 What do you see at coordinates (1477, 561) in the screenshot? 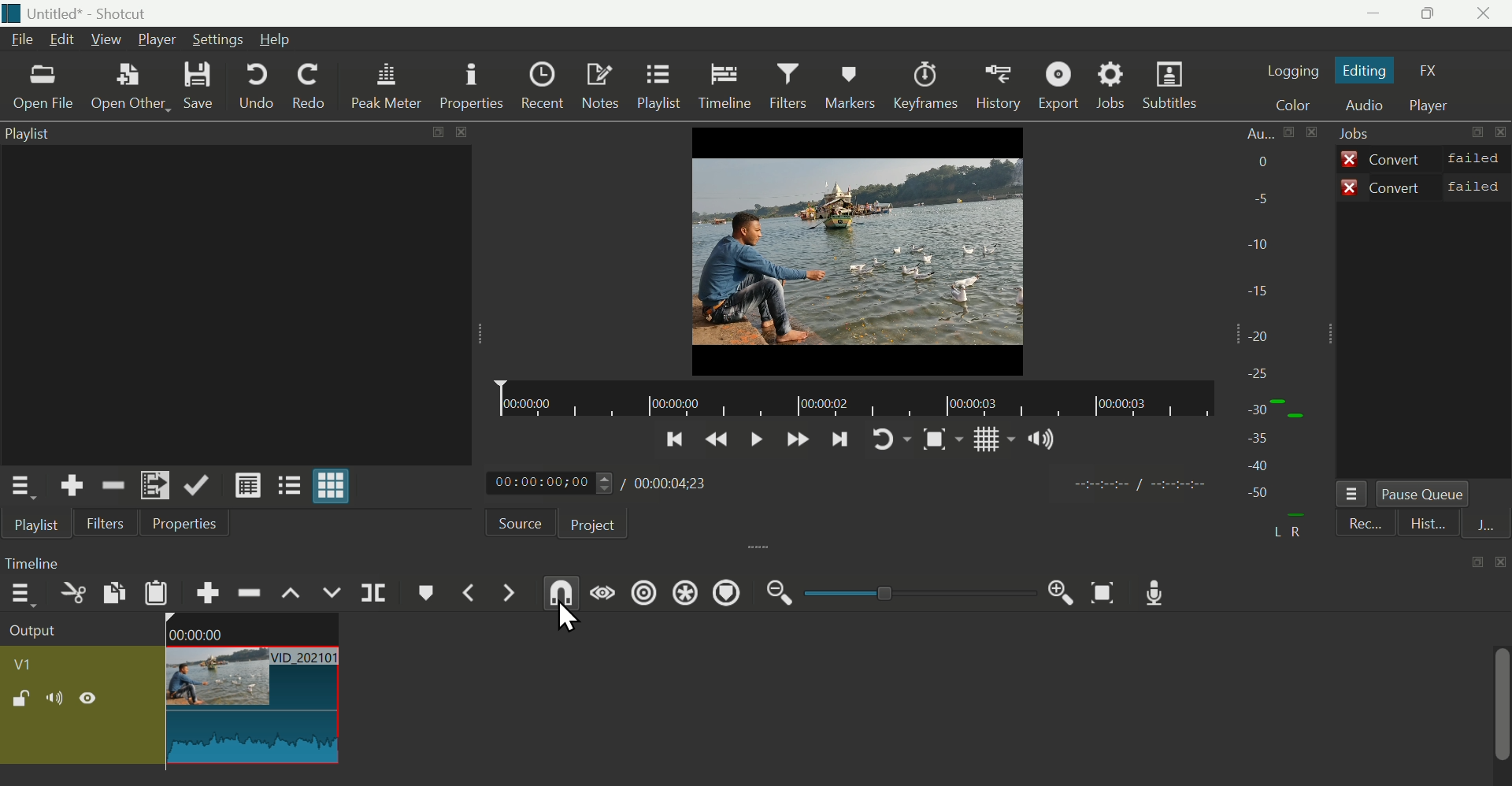
I see `restore` at bounding box center [1477, 561].